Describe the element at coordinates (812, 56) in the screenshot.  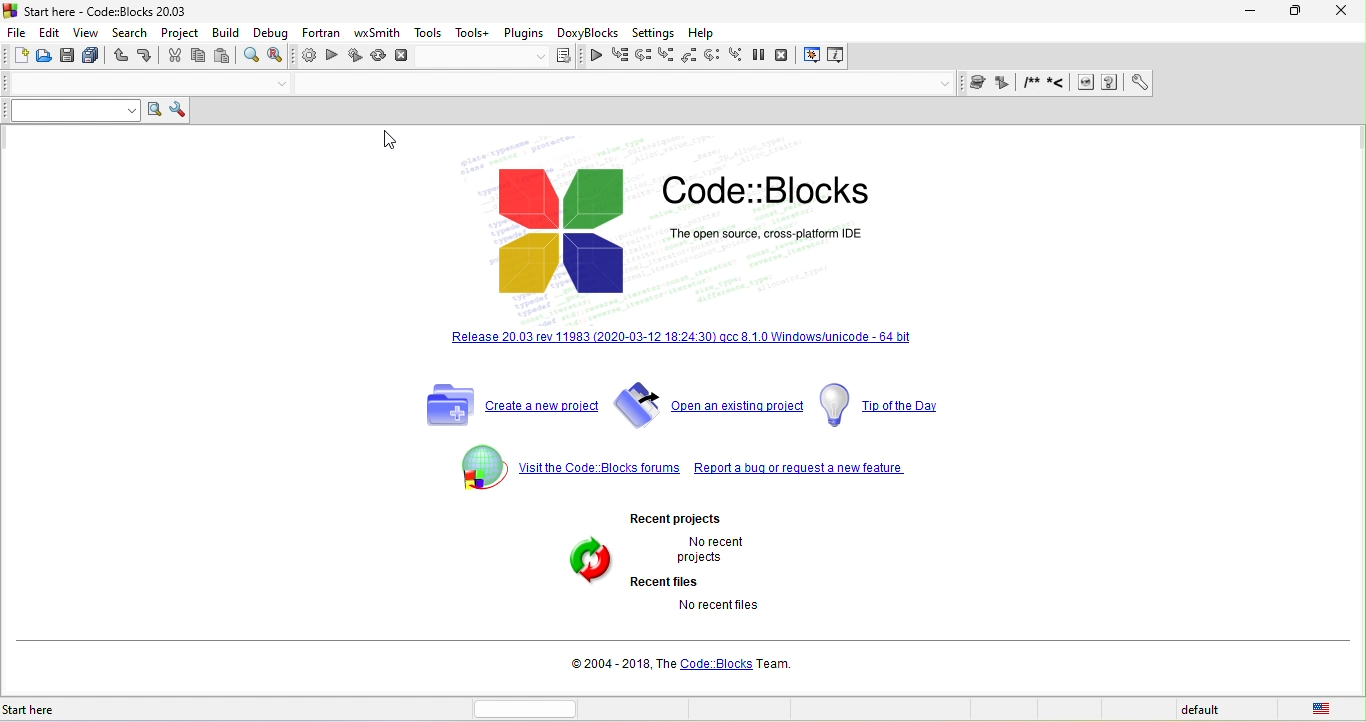
I see `debugging window` at that location.